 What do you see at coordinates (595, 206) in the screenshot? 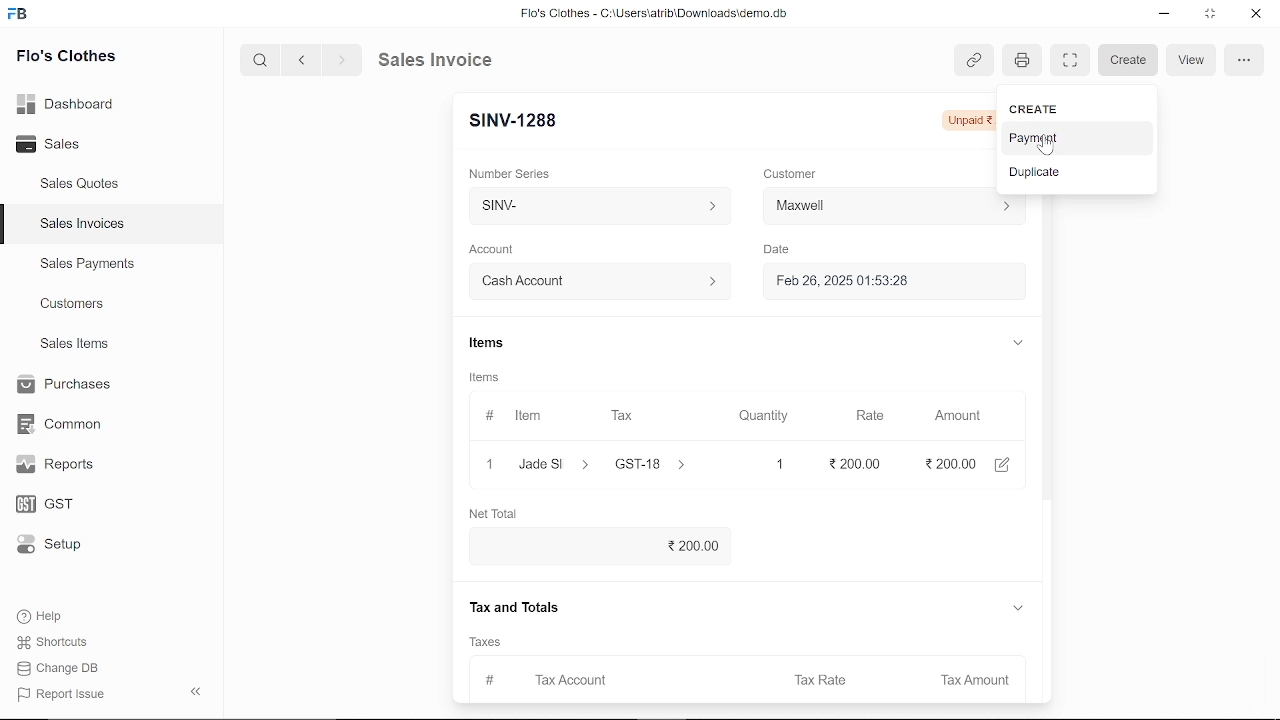
I see `SINV- ` at bounding box center [595, 206].